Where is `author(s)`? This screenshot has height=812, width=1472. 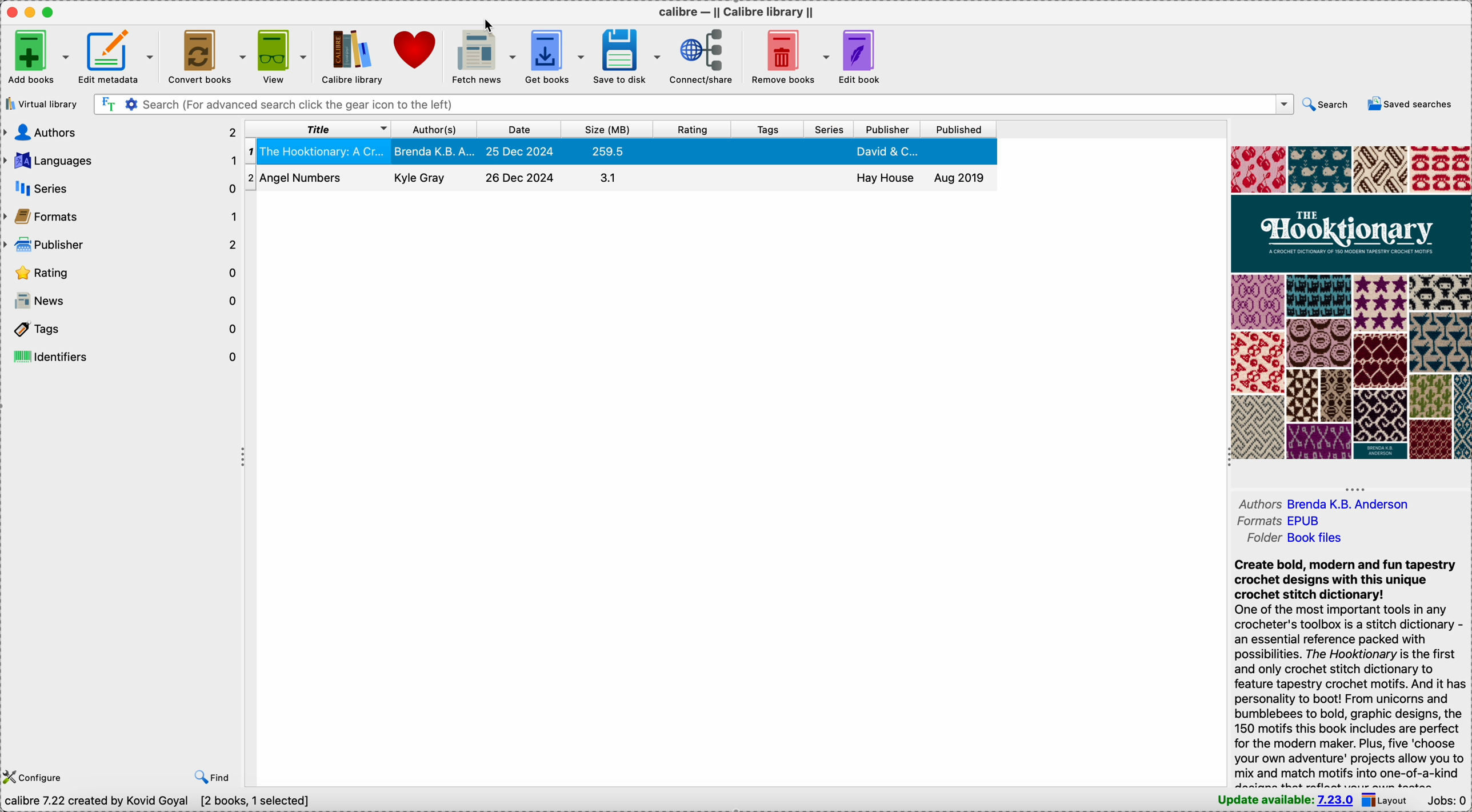
author(s) is located at coordinates (434, 129).